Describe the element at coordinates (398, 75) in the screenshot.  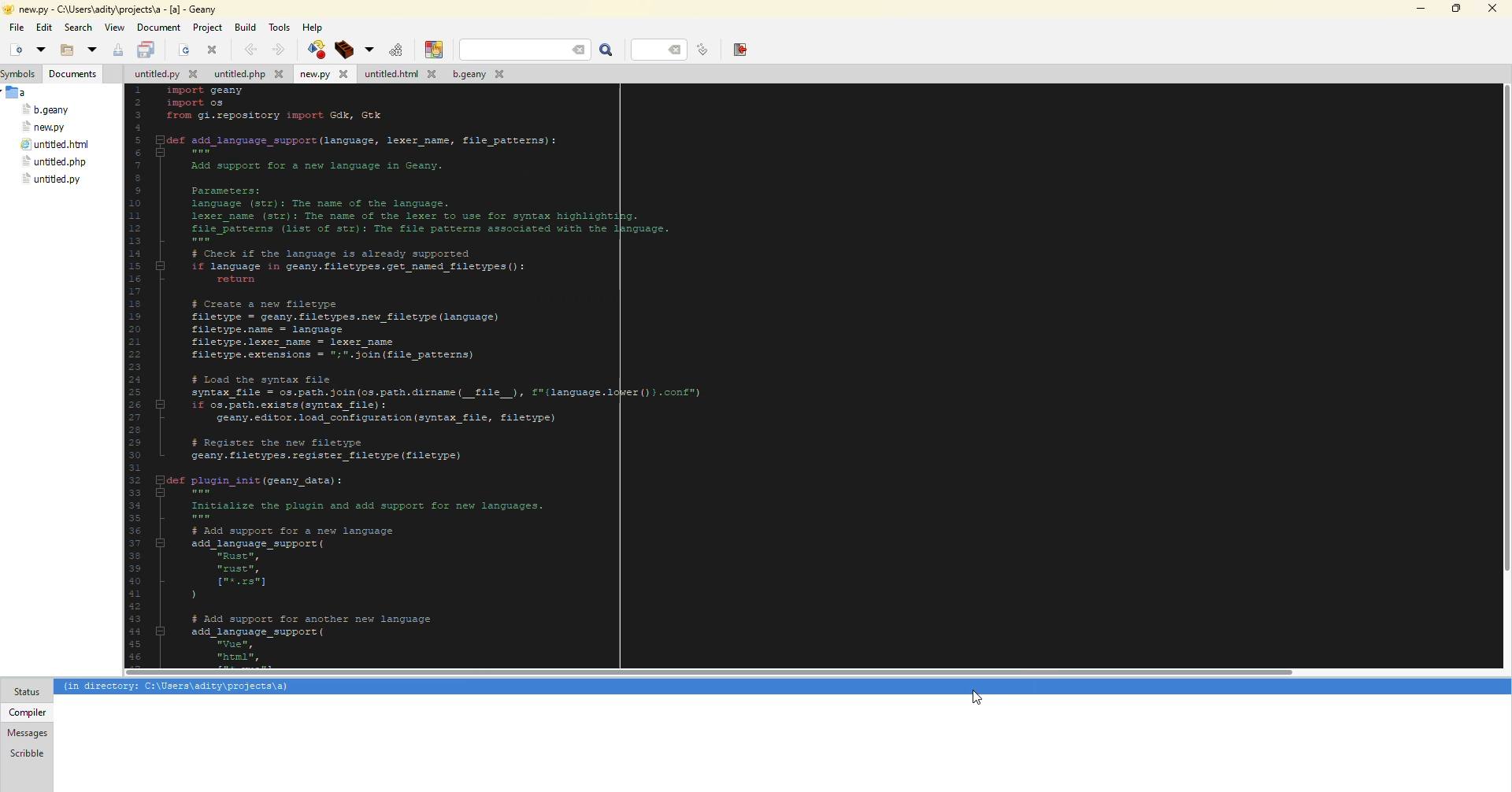
I see `file` at that location.